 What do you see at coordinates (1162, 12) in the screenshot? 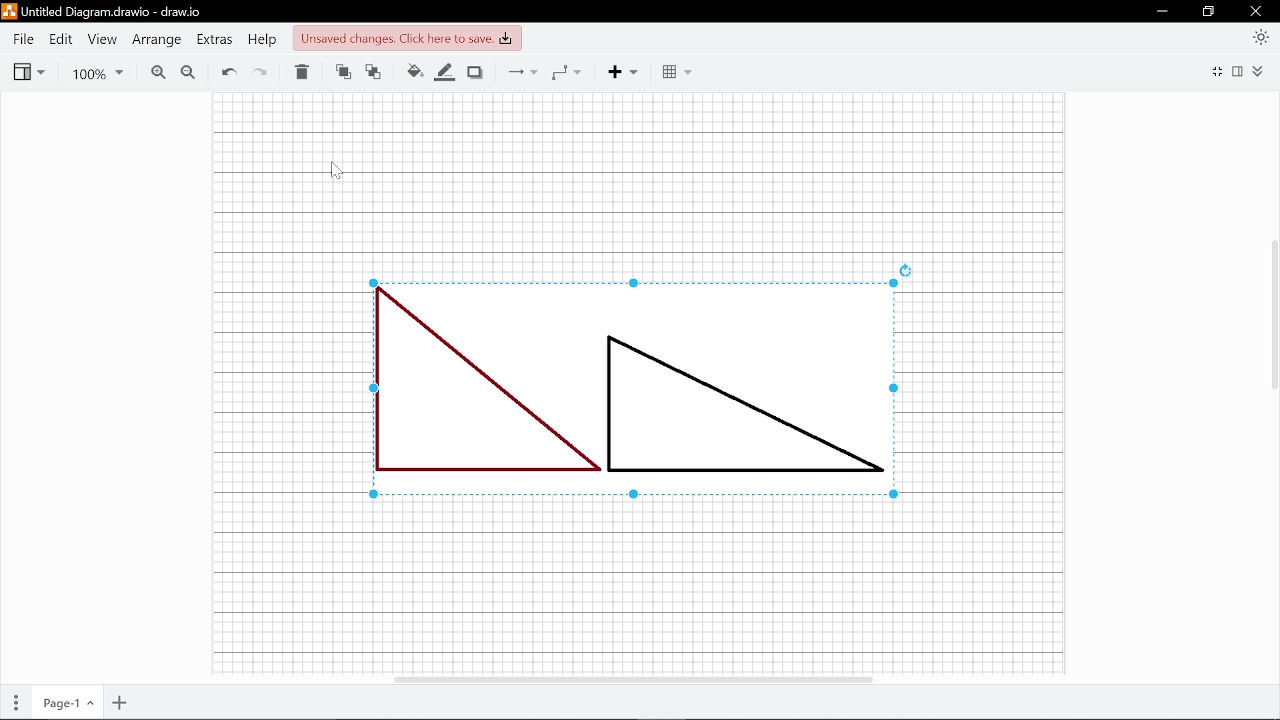
I see `Minimize` at bounding box center [1162, 12].